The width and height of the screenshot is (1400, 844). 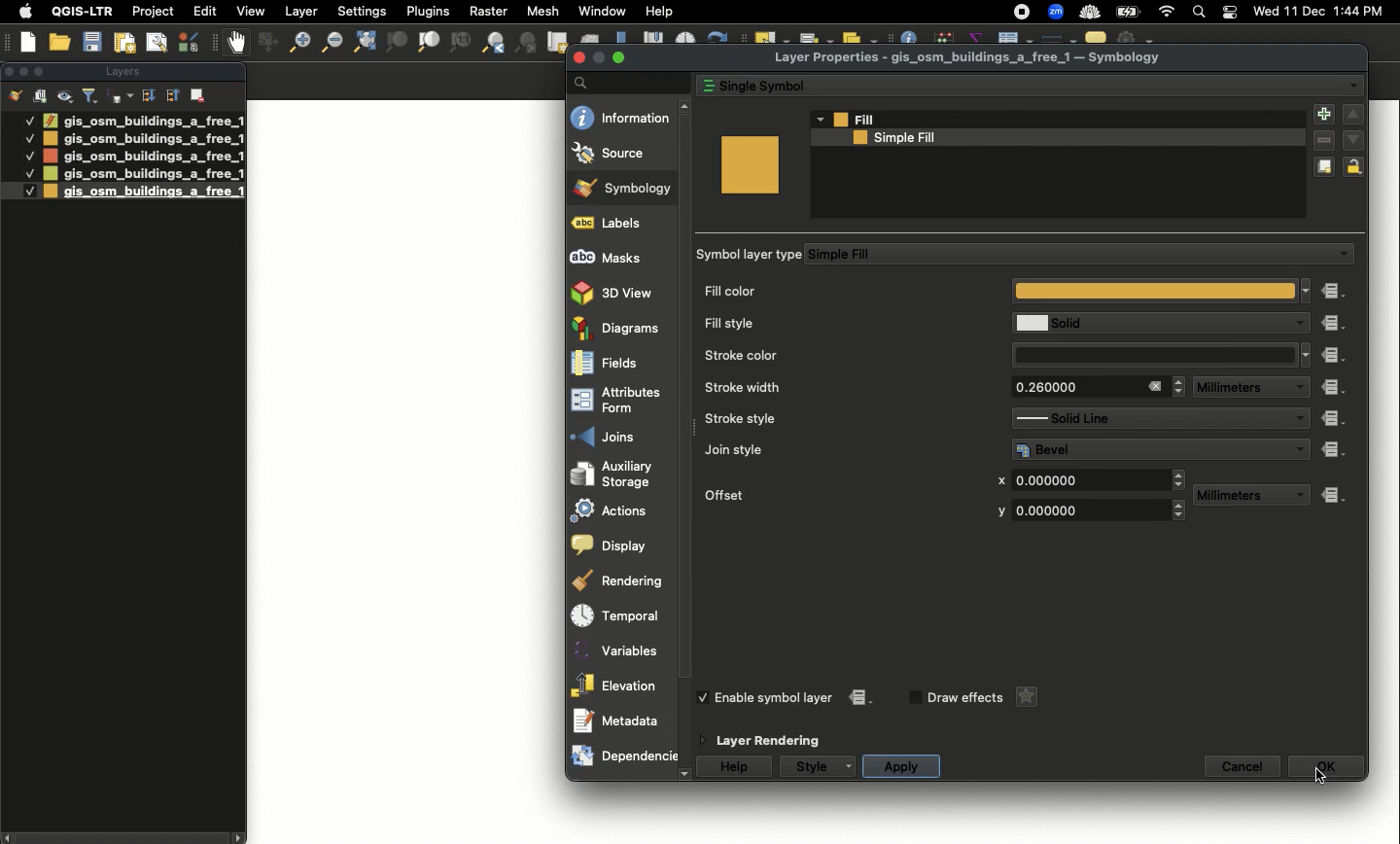 I want to click on , so click(x=861, y=697).